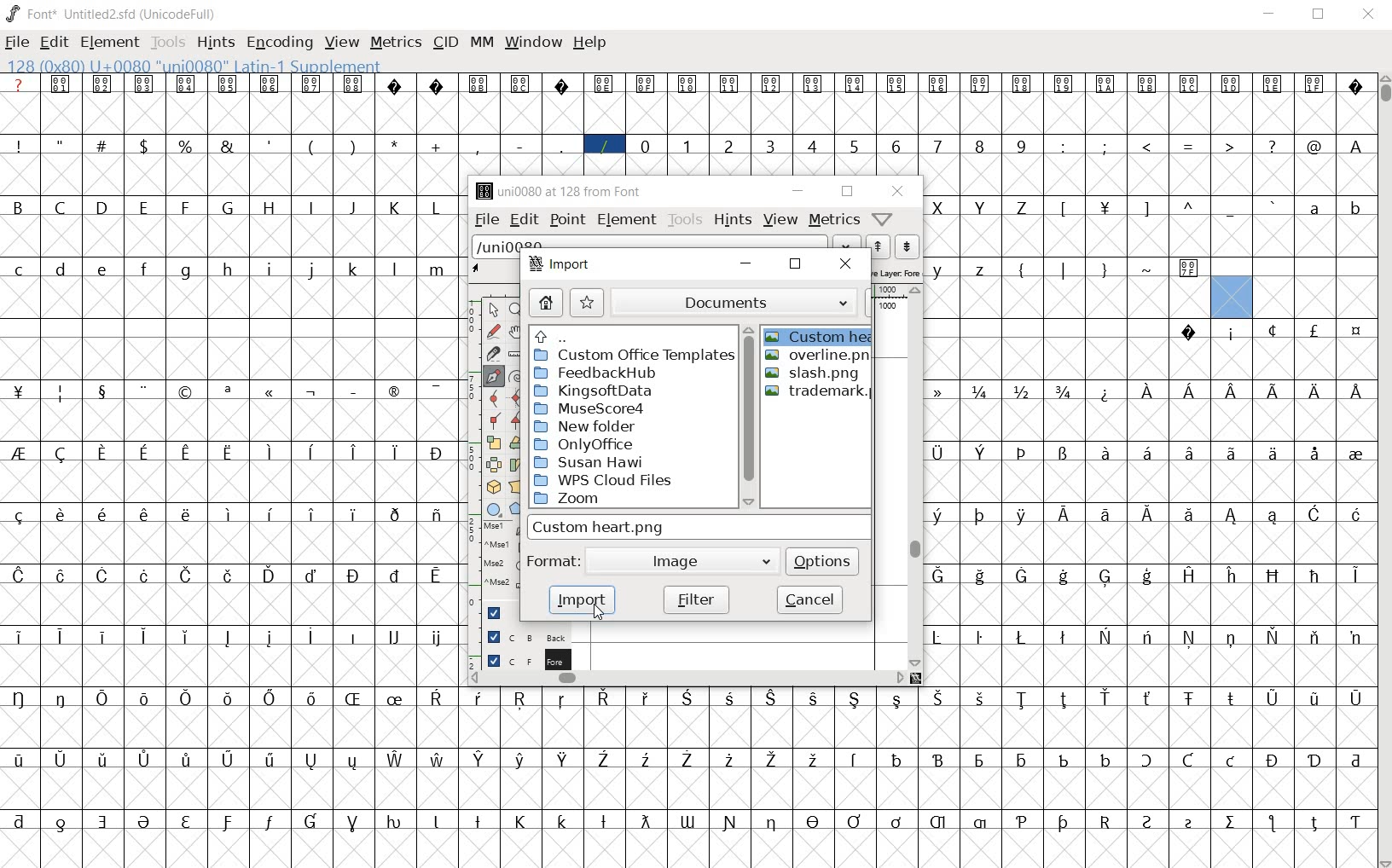 This screenshot has width=1392, height=868. I want to click on glyph, so click(1064, 761).